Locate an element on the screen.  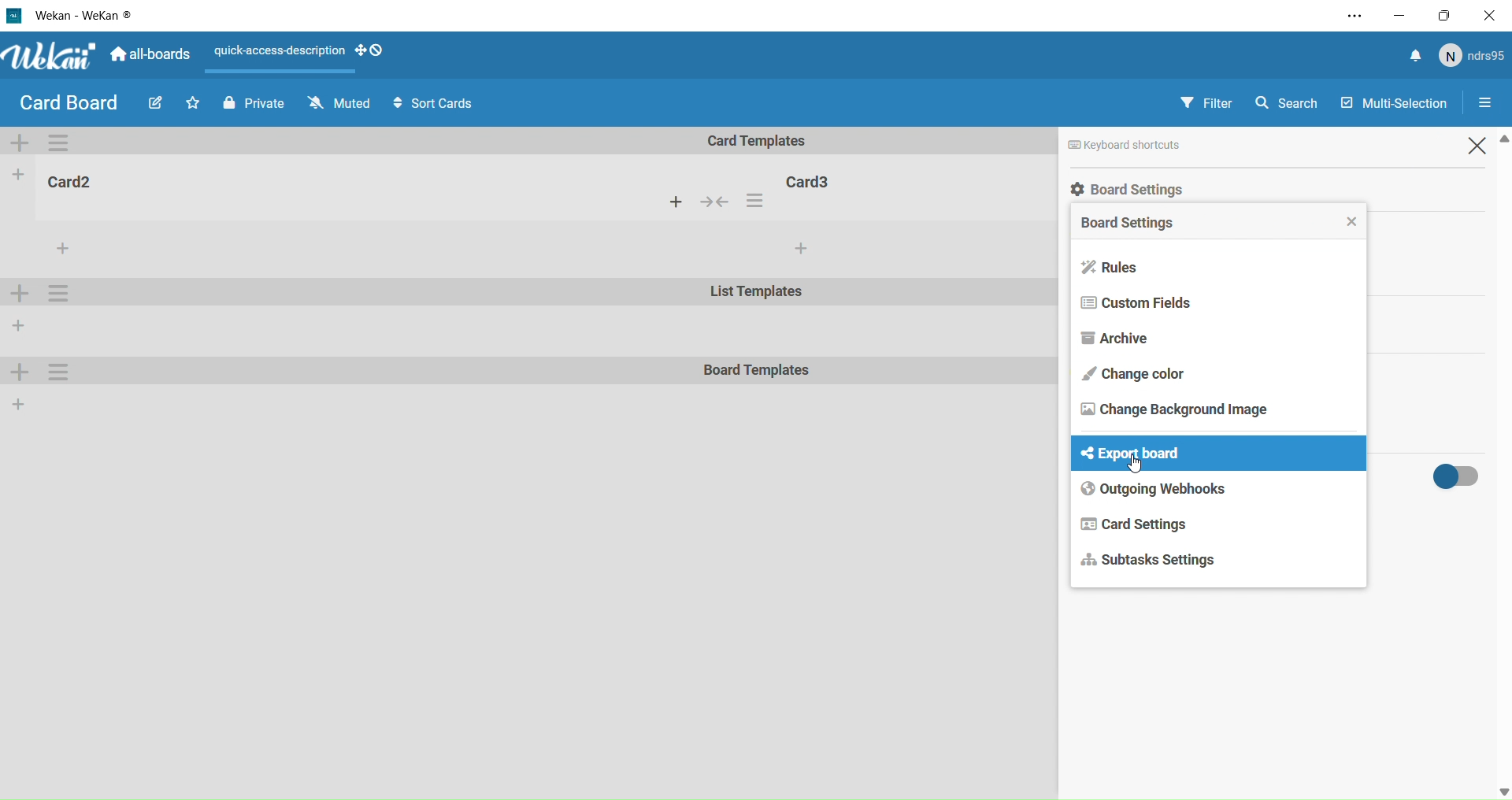
 is located at coordinates (17, 329).